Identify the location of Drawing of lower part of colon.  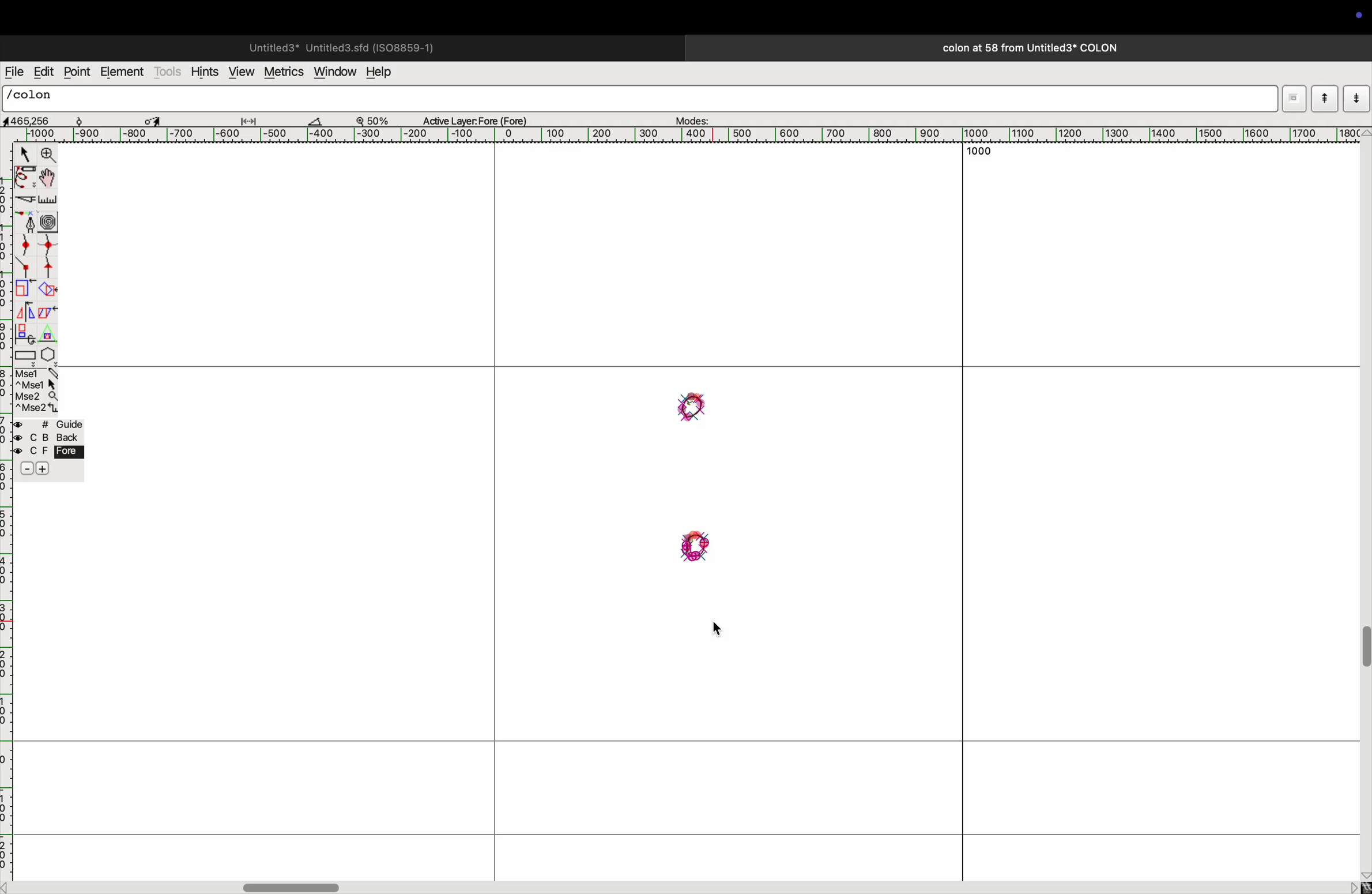
(692, 549).